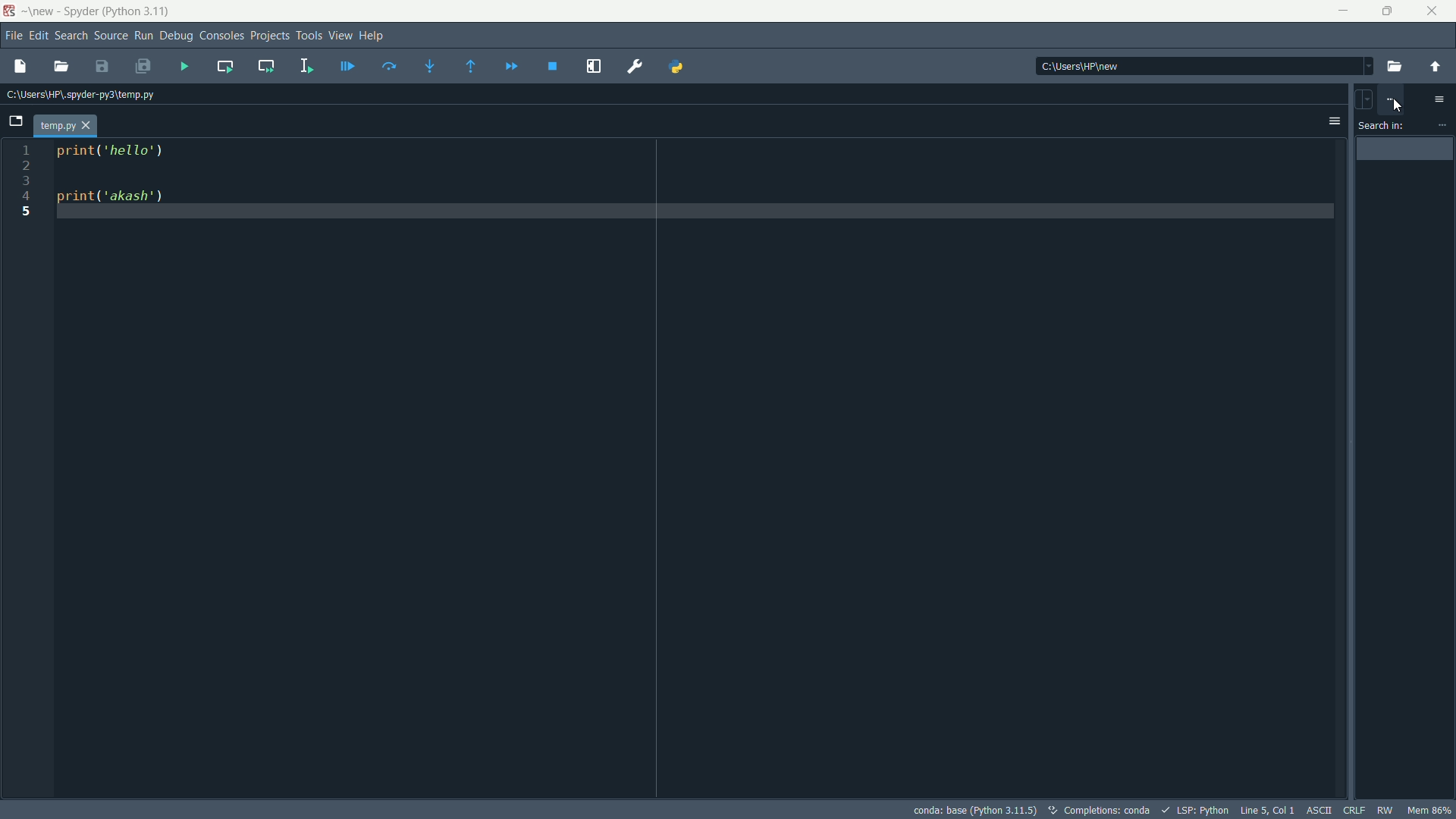 This screenshot has width=1456, height=819. What do you see at coordinates (1383, 126) in the screenshot?
I see `Search in:` at bounding box center [1383, 126].